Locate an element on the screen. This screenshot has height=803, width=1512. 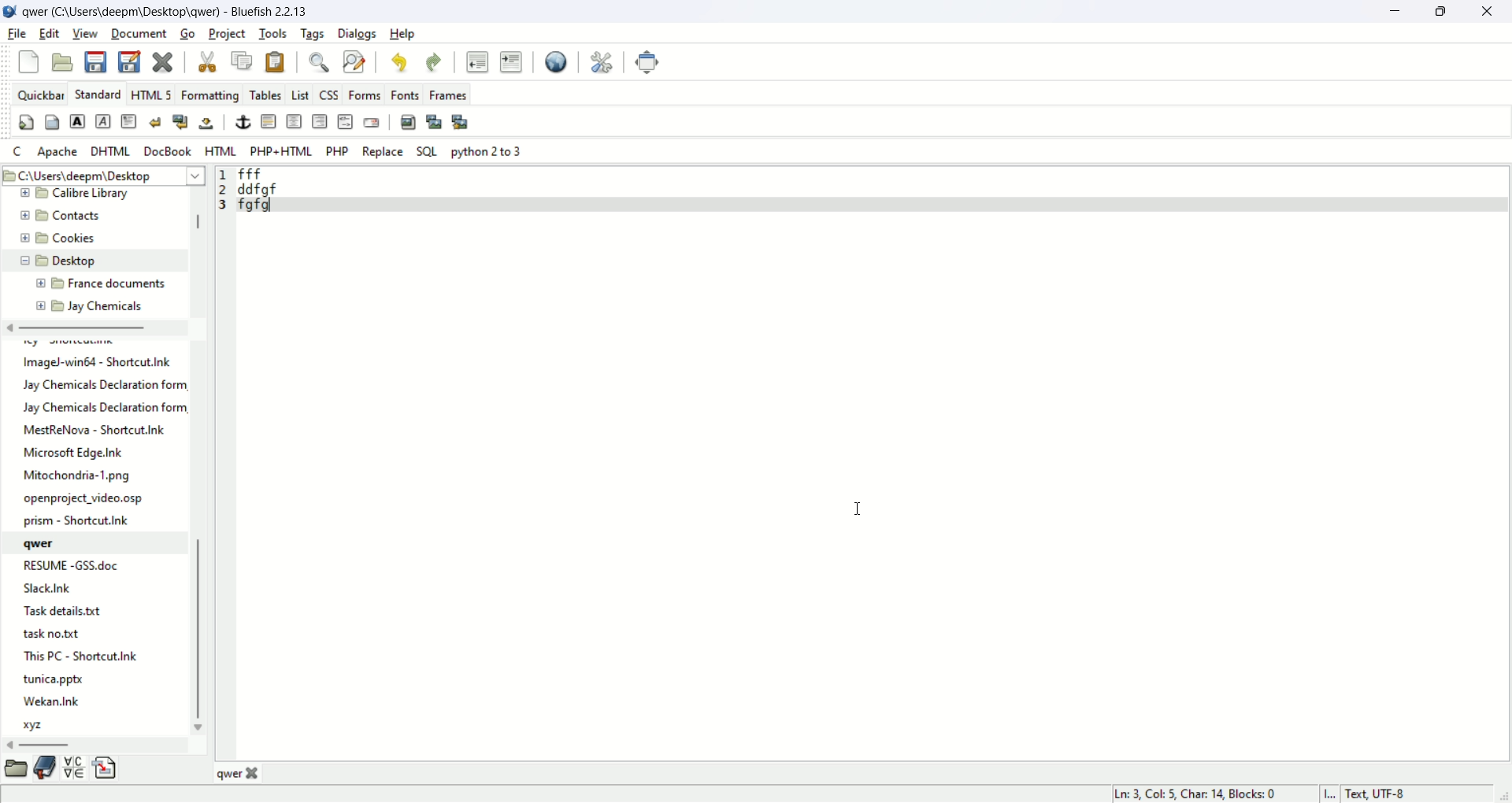
wekan.ink is located at coordinates (51, 702).